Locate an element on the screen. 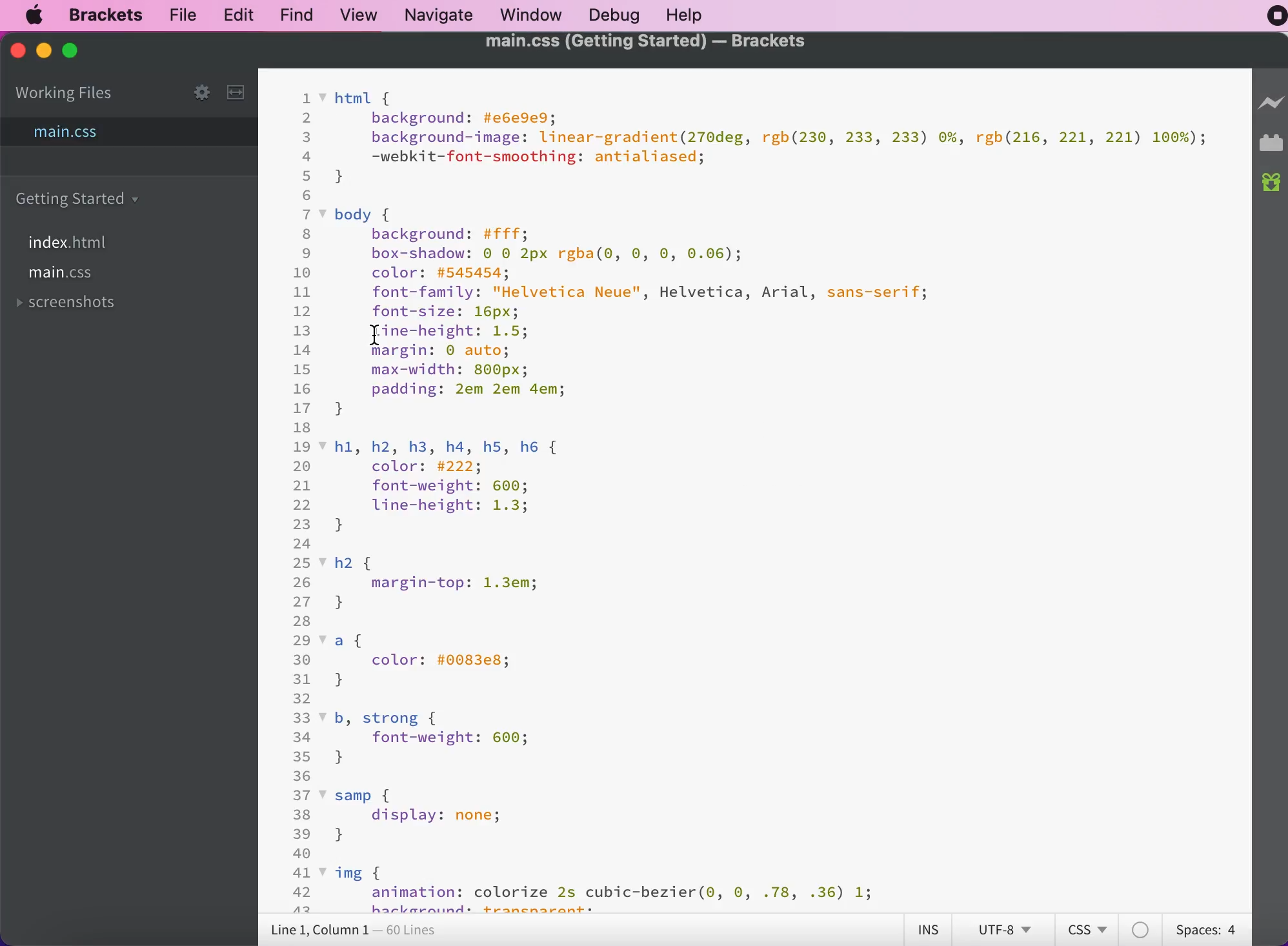 The width and height of the screenshot is (1288, 946). 32 is located at coordinates (302, 698).